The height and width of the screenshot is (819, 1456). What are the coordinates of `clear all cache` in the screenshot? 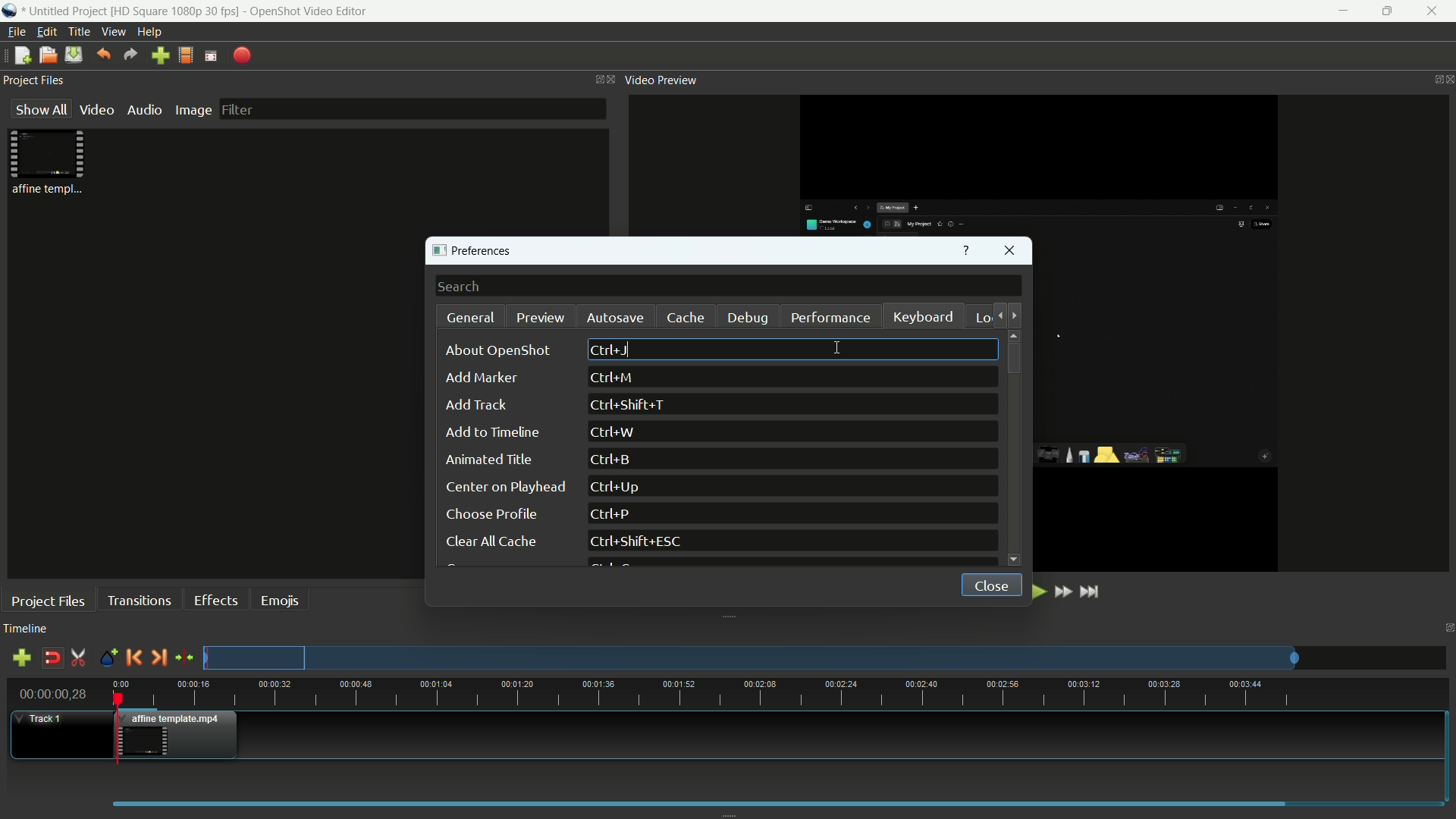 It's located at (489, 543).